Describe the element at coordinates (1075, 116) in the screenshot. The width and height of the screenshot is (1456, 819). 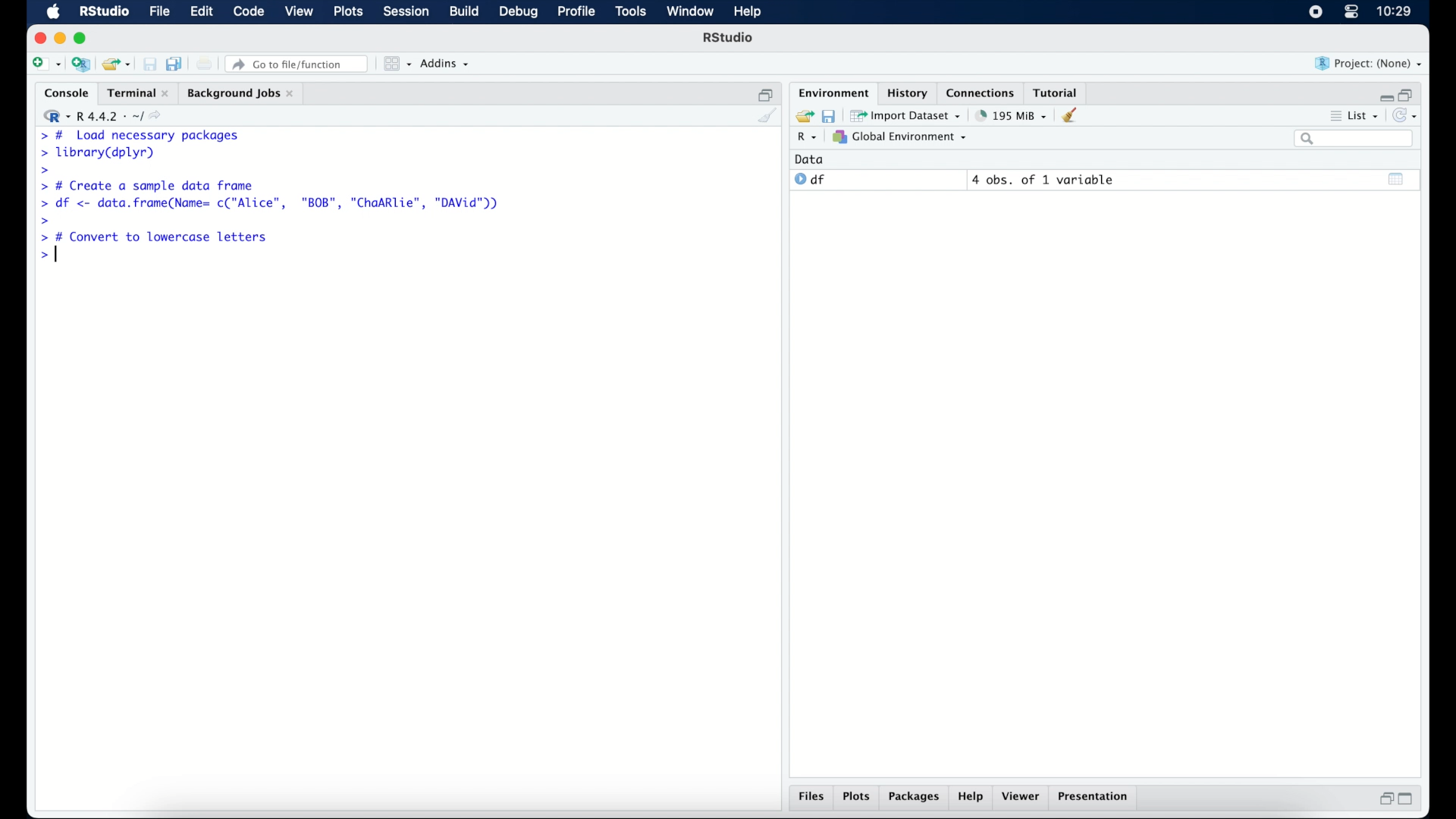
I see `clear workspace` at that location.